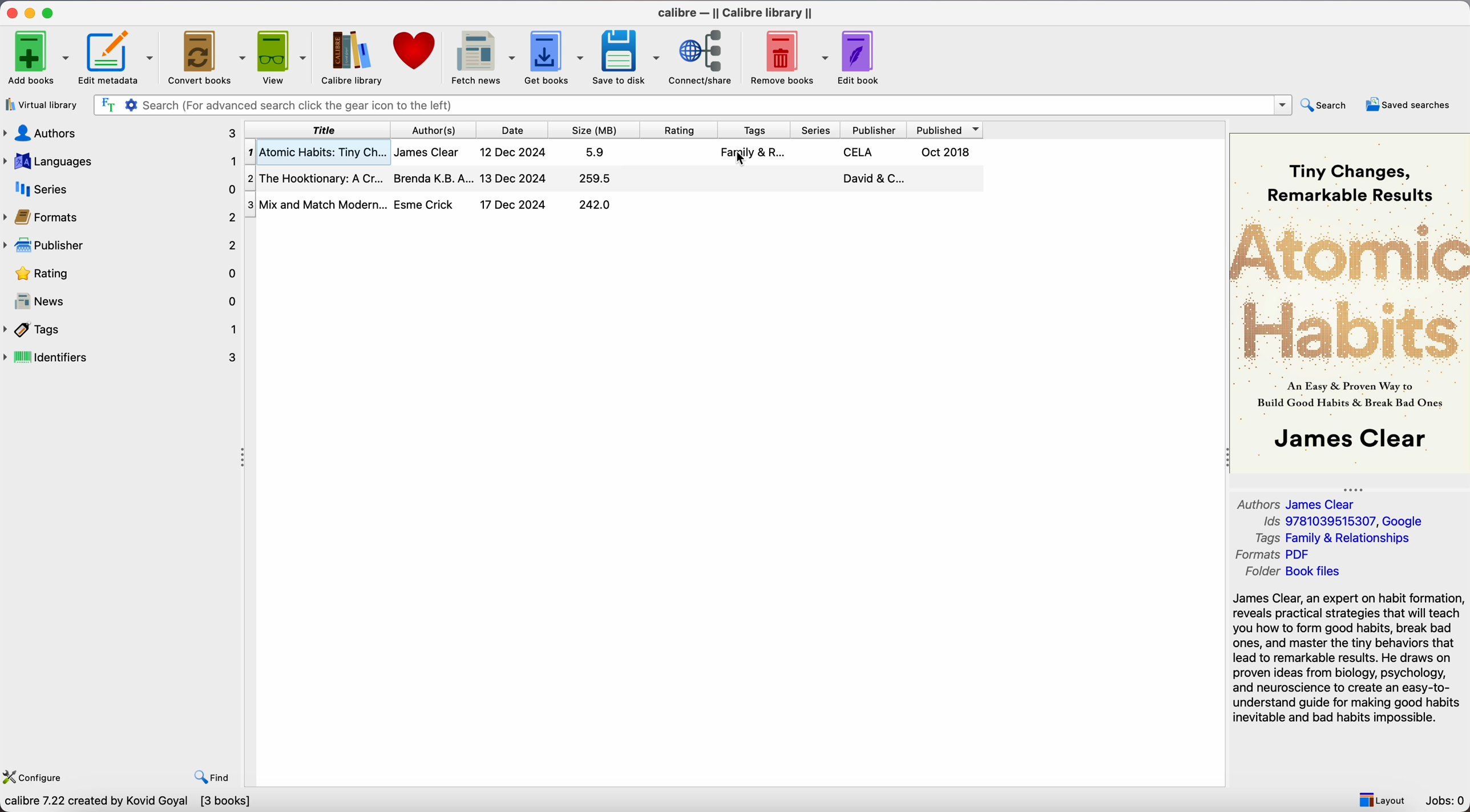  Describe the element at coordinates (205, 57) in the screenshot. I see `convert books` at that location.